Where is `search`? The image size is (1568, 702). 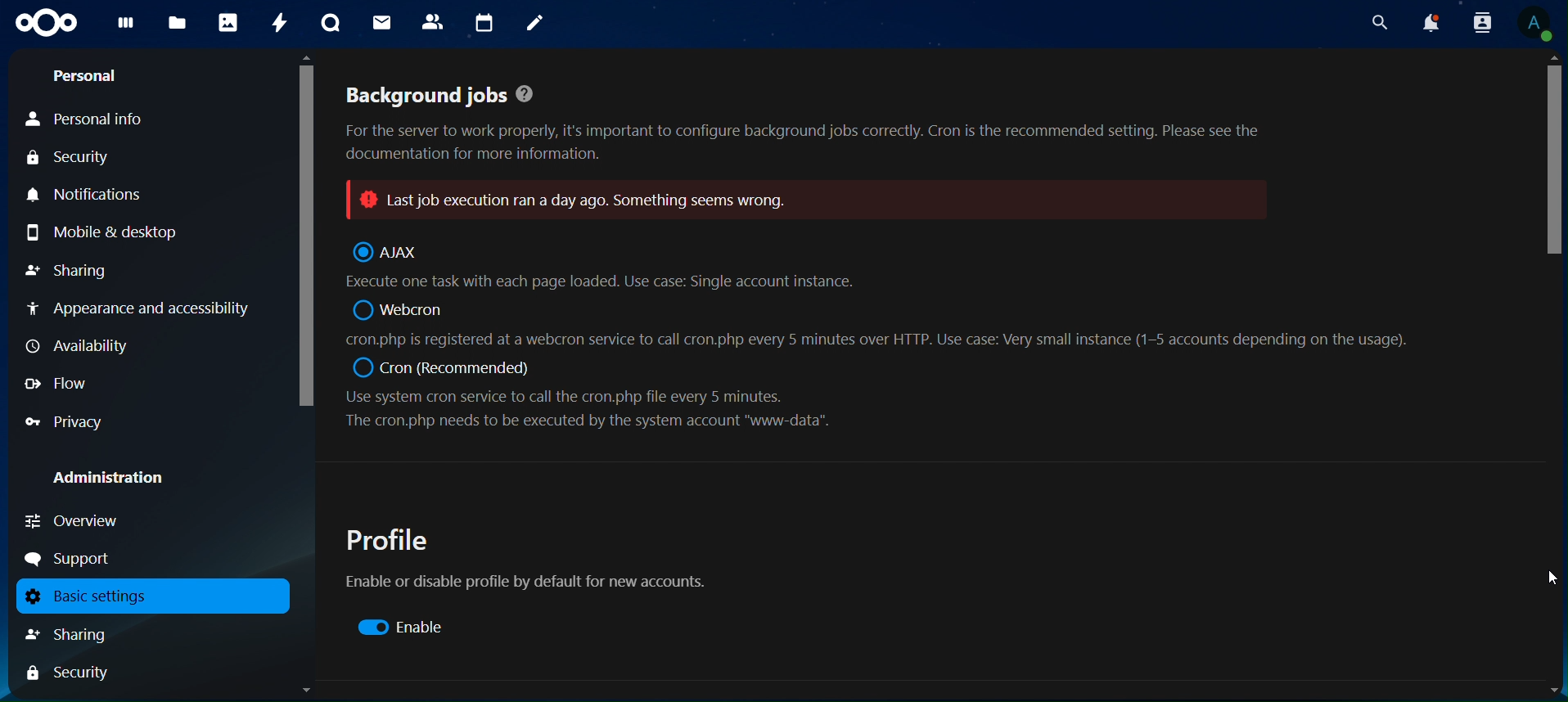 search is located at coordinates (1377, 22).